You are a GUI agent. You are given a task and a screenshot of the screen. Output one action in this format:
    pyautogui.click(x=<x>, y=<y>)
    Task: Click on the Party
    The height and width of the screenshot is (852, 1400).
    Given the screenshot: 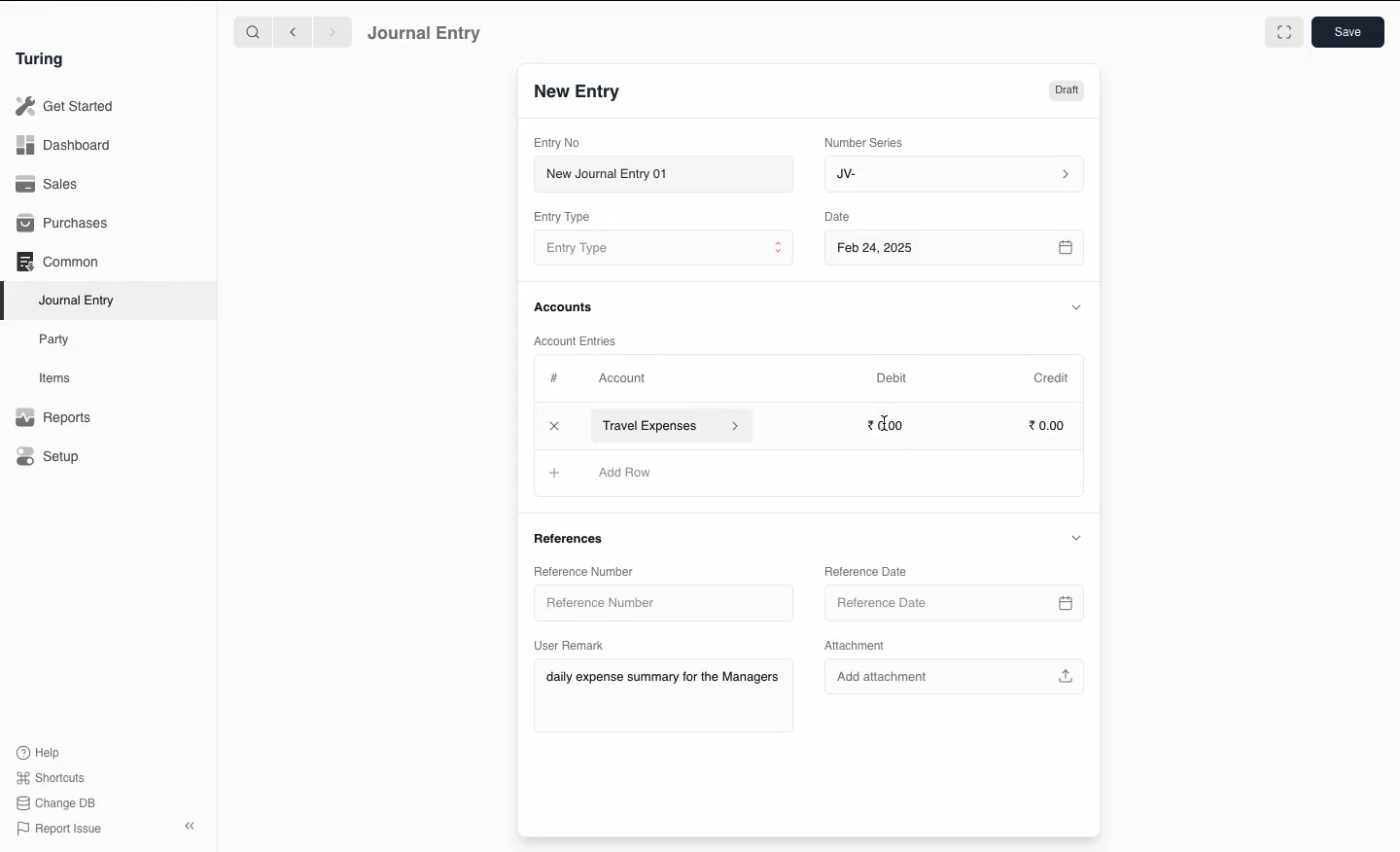 What is the action you would take?
    pyautogui.click(x=59, y=340)
    